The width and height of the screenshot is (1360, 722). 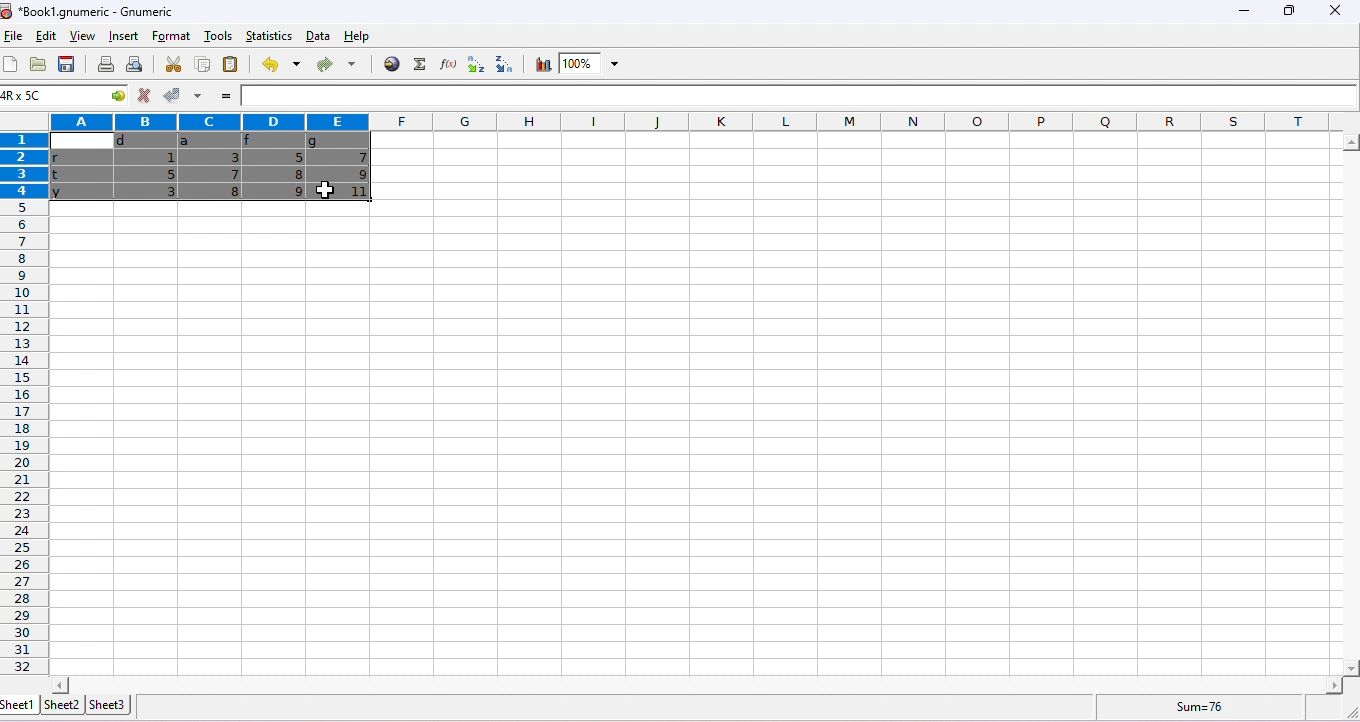 I want to click on zoom, so click(x=592, y=64).